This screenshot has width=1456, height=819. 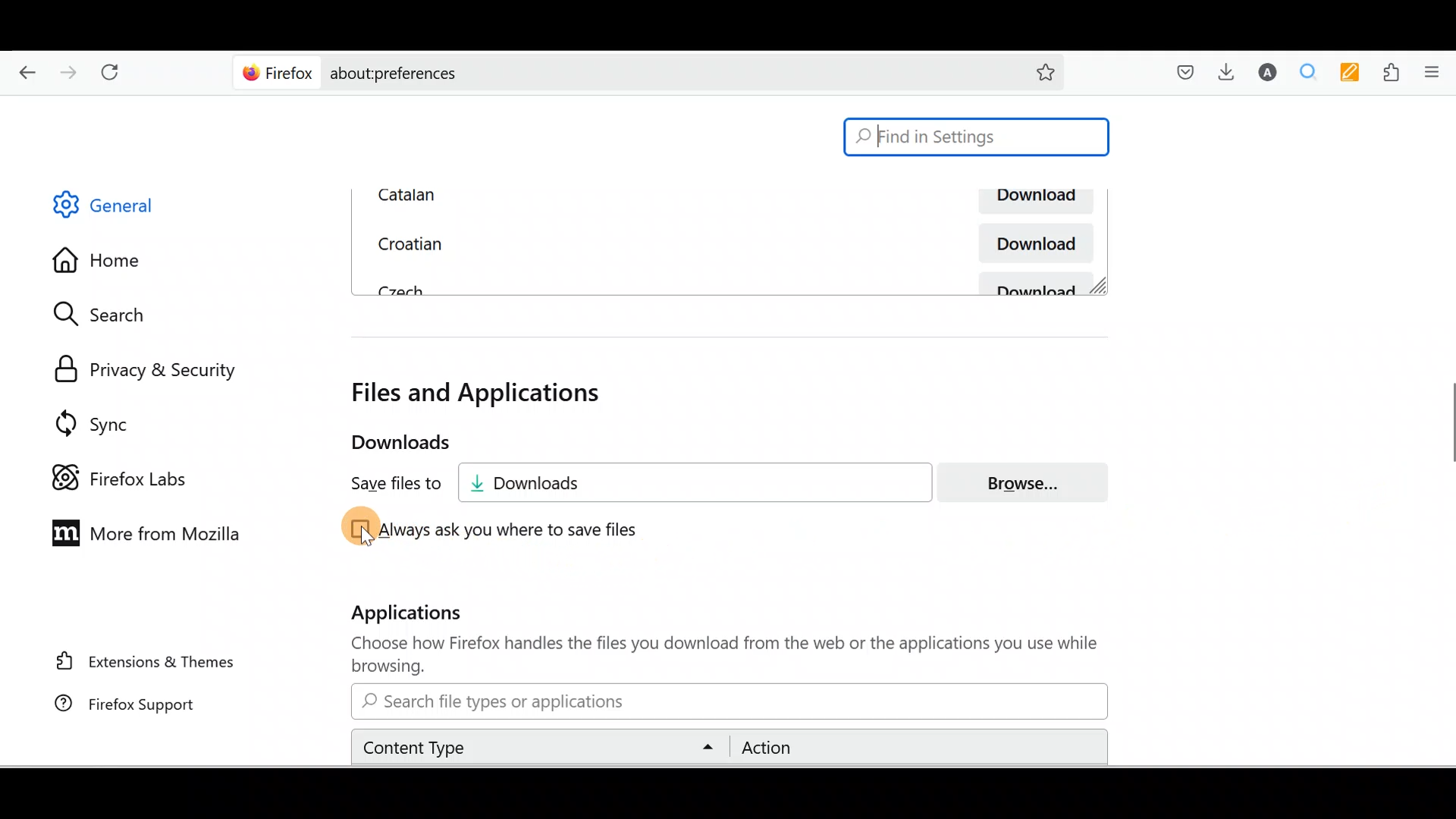 What do you see at coordinates (369, 538) in the screenshot?
I see `cursor` at bounding box center [369, 538].